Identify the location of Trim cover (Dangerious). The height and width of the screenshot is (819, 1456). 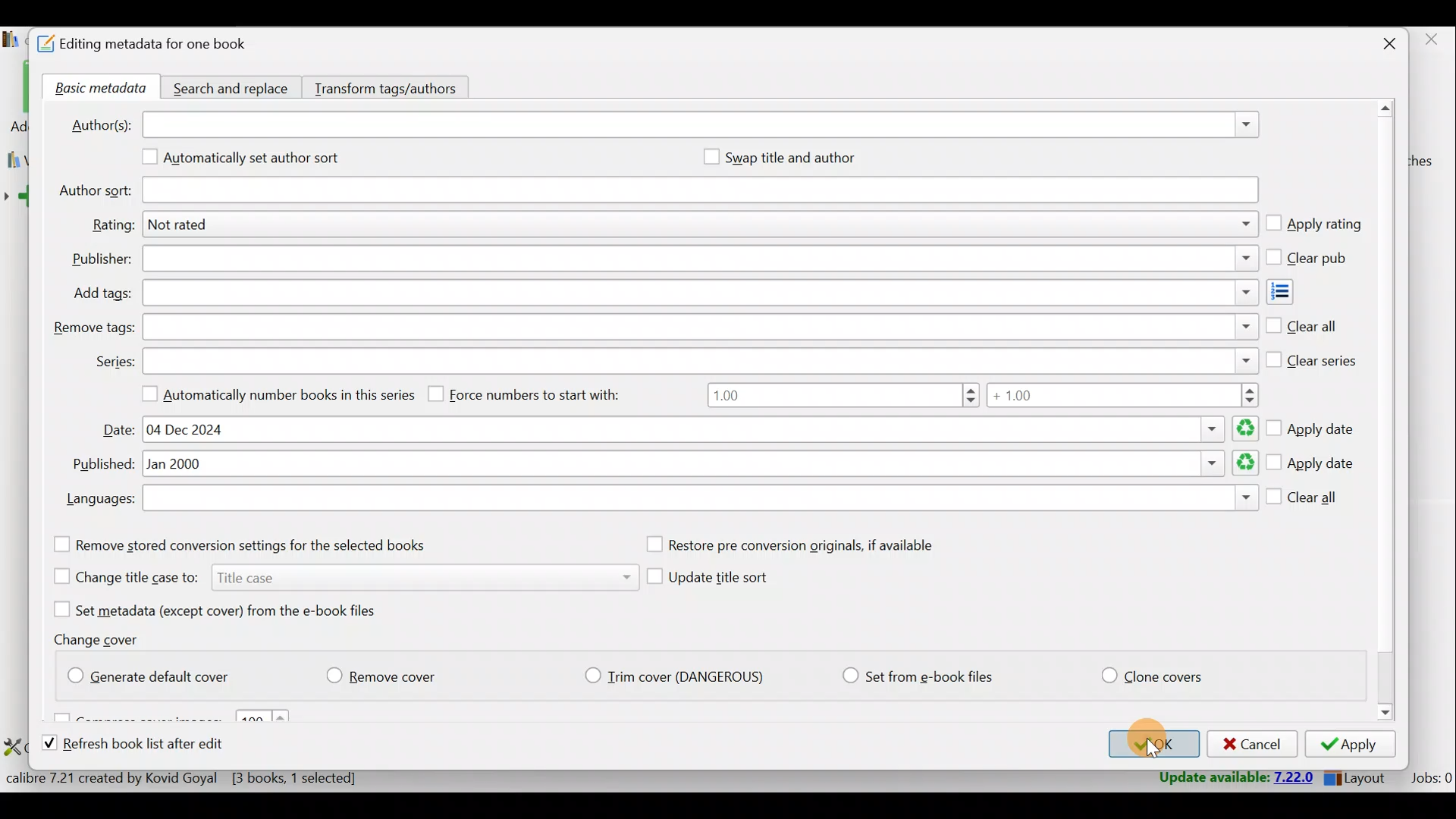
(679, 678).